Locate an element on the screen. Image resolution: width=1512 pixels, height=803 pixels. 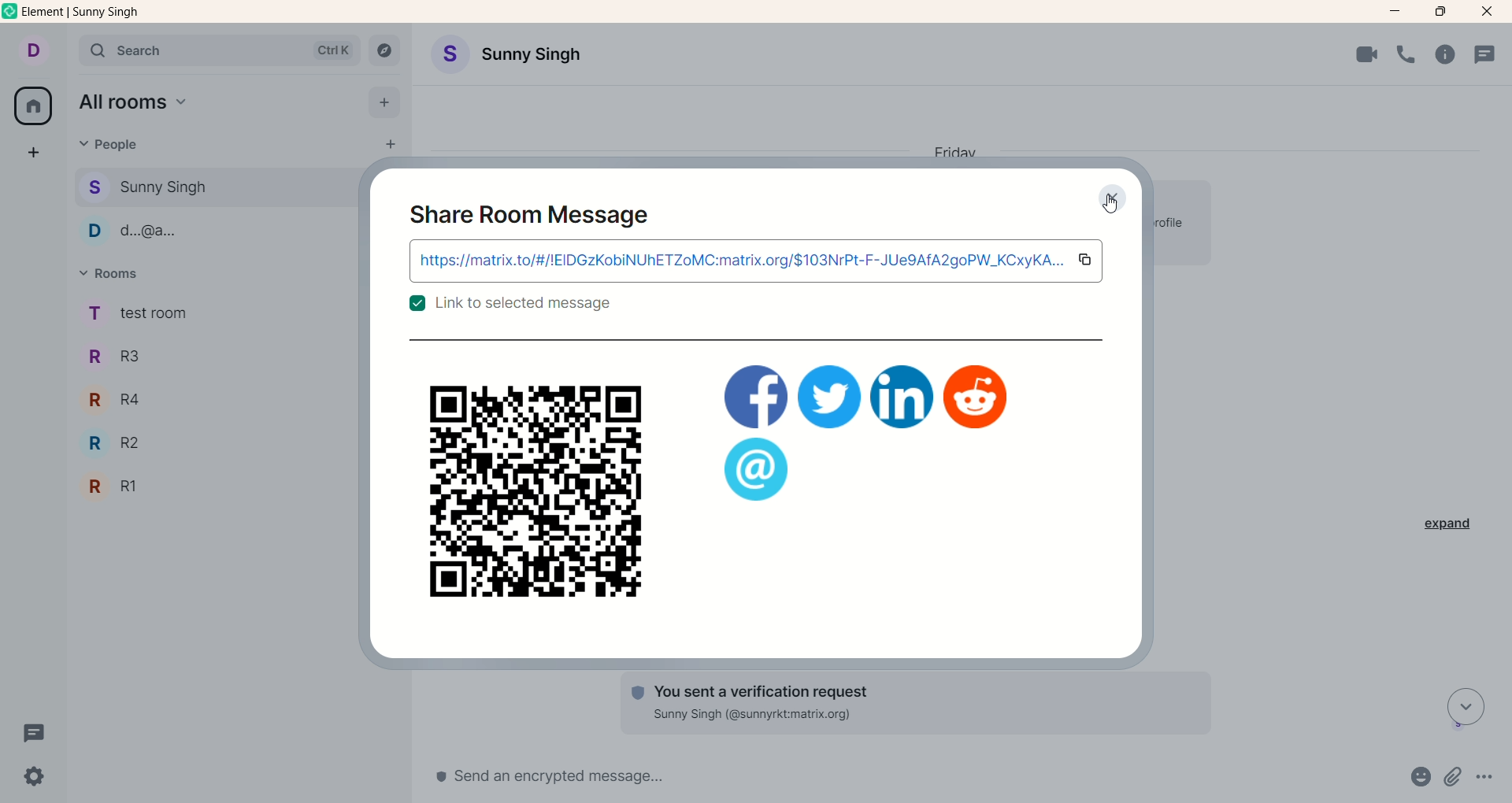
application logo is located at coordinates (830, 396).